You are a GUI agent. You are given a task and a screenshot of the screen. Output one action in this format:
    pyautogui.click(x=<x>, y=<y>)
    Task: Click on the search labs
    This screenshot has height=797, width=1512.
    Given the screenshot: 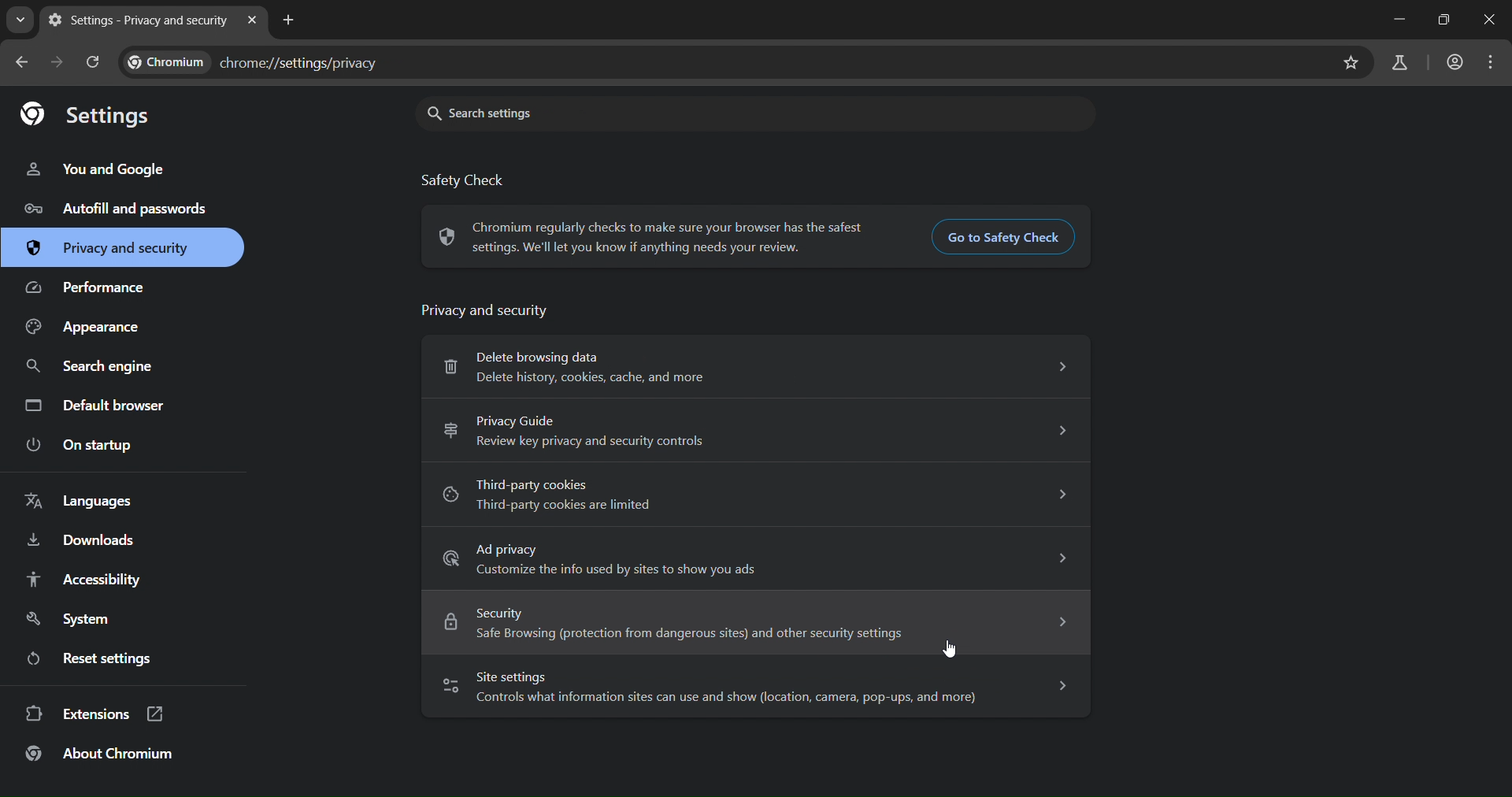 What is the action you would take?
    pyautogui.click(x=1401, y=61)
    